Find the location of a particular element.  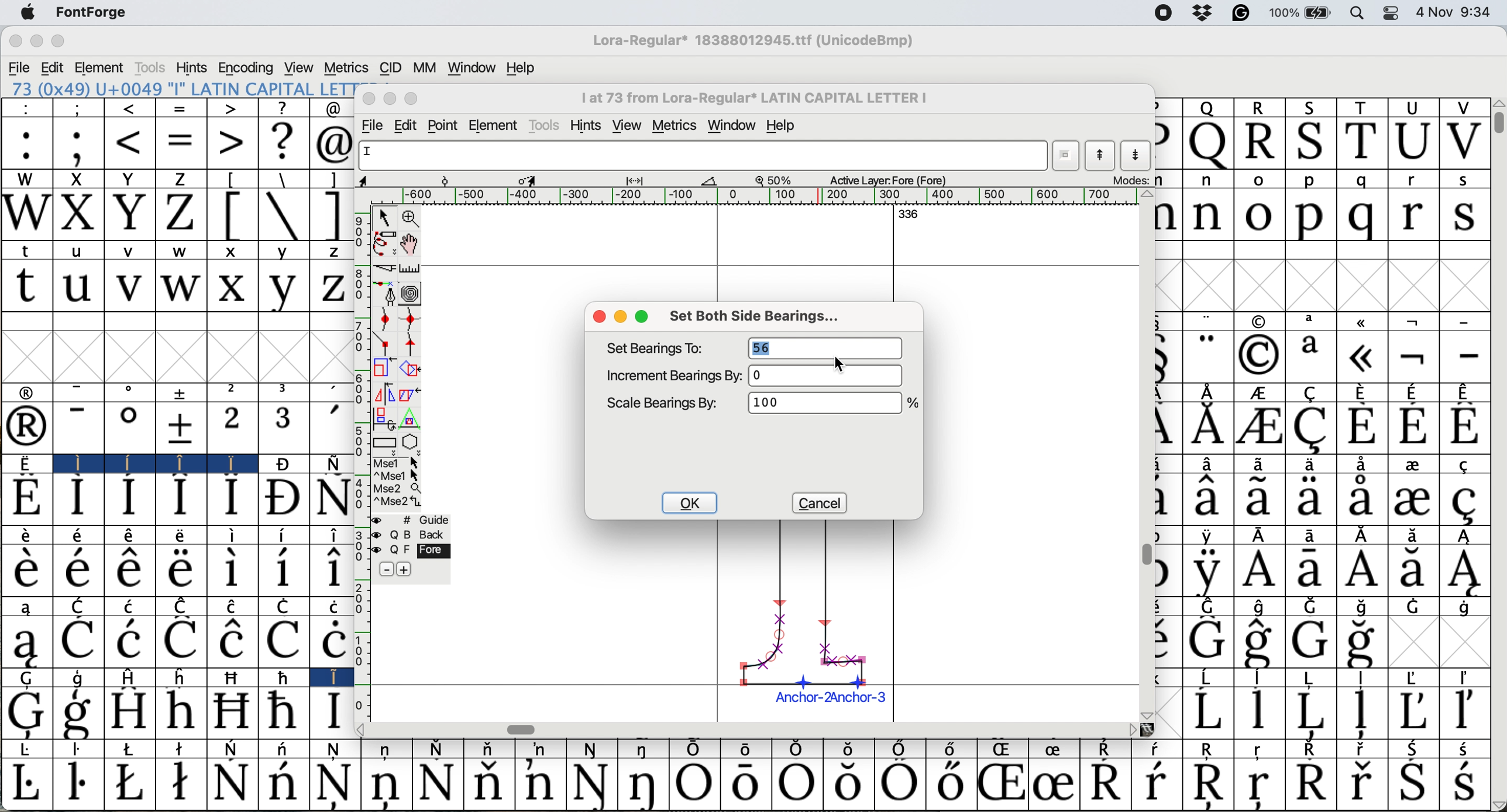

zoom scale is located at coordinates (777, 181).